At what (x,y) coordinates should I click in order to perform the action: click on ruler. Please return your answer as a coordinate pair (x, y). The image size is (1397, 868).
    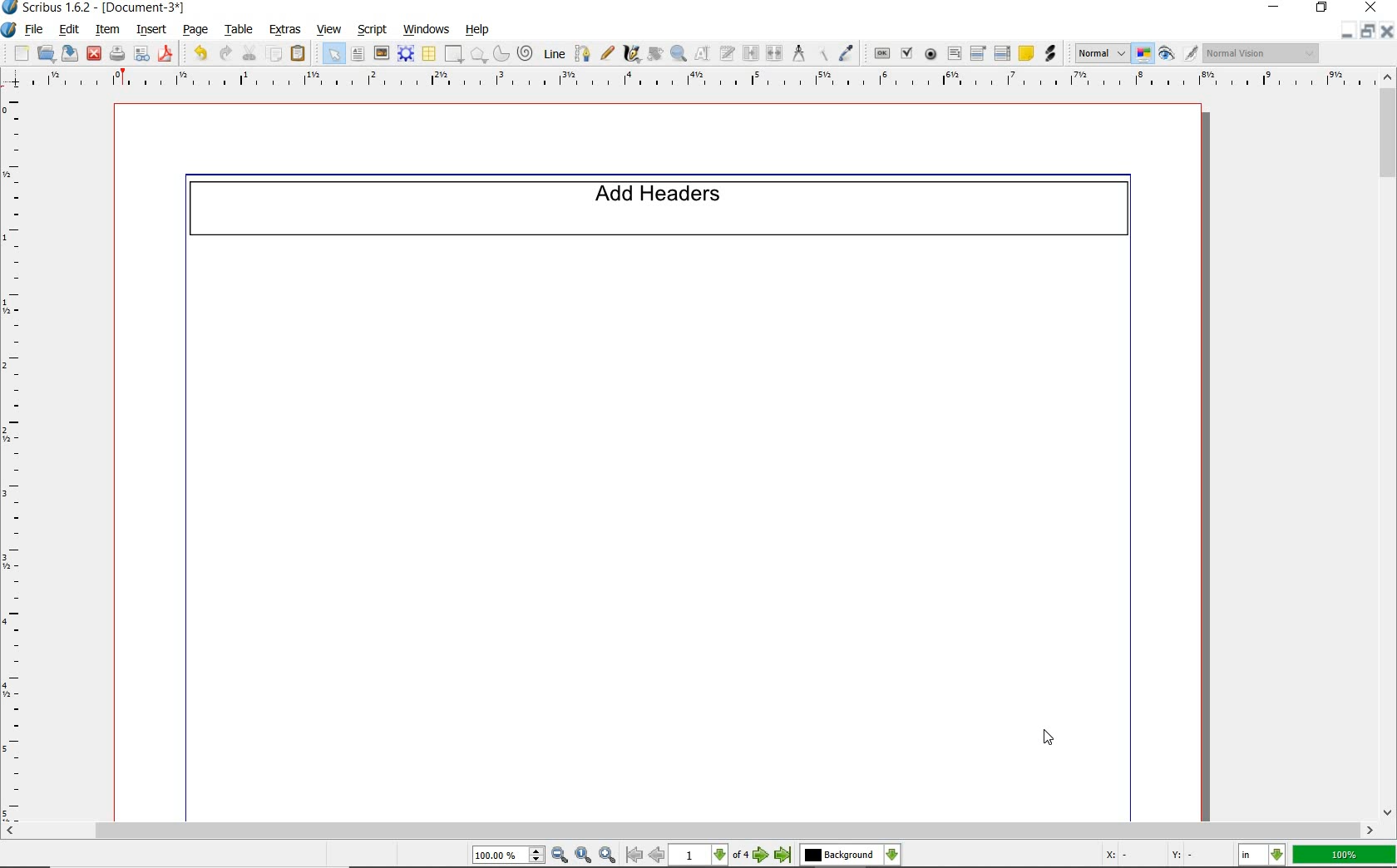
    Looking at the image, I should click on (692, 83).